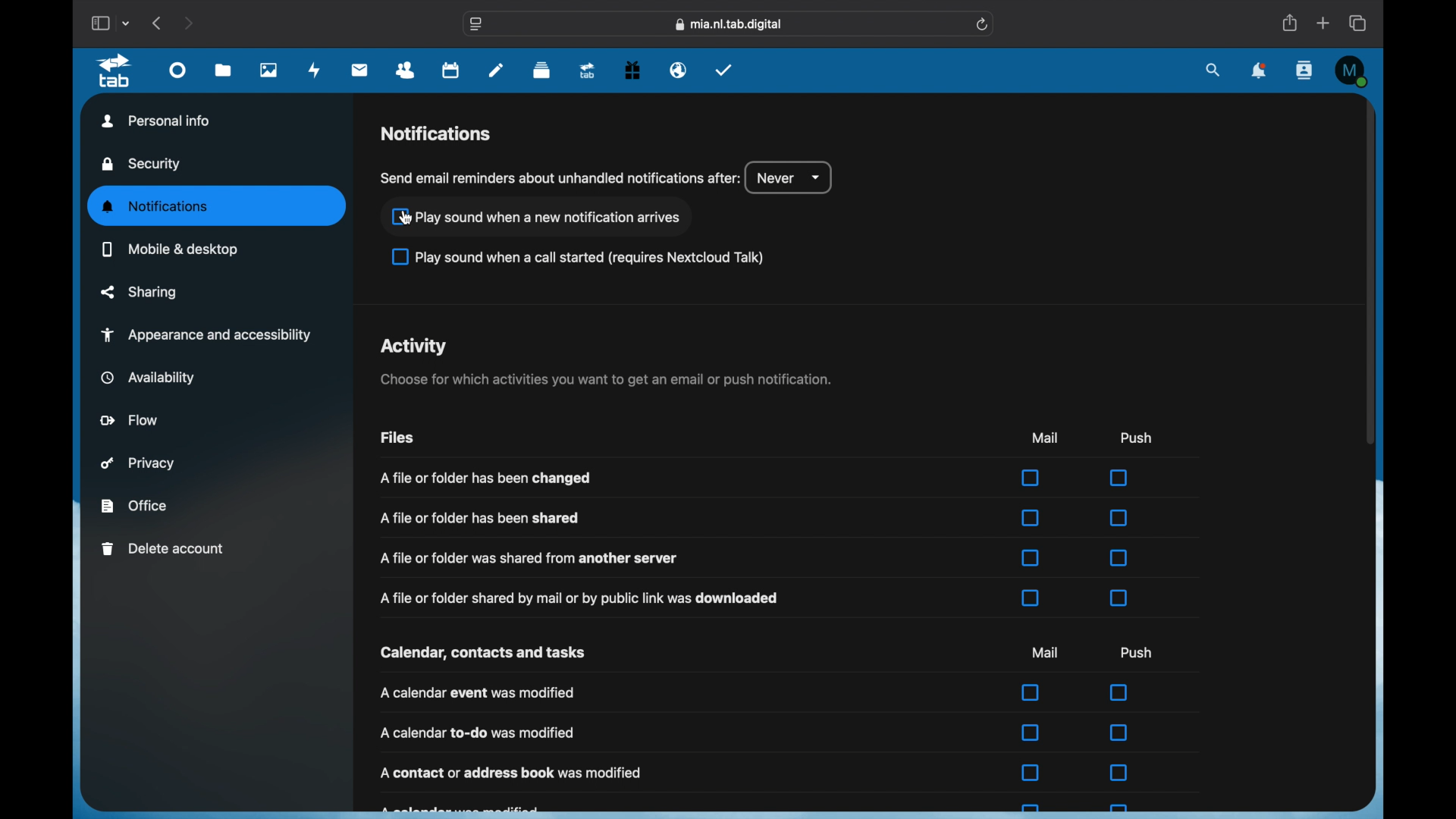 The image size is (1456, 819). Describe the element at coordinates (99, 24) in the screenshot. I see `show sidebar` at that location.